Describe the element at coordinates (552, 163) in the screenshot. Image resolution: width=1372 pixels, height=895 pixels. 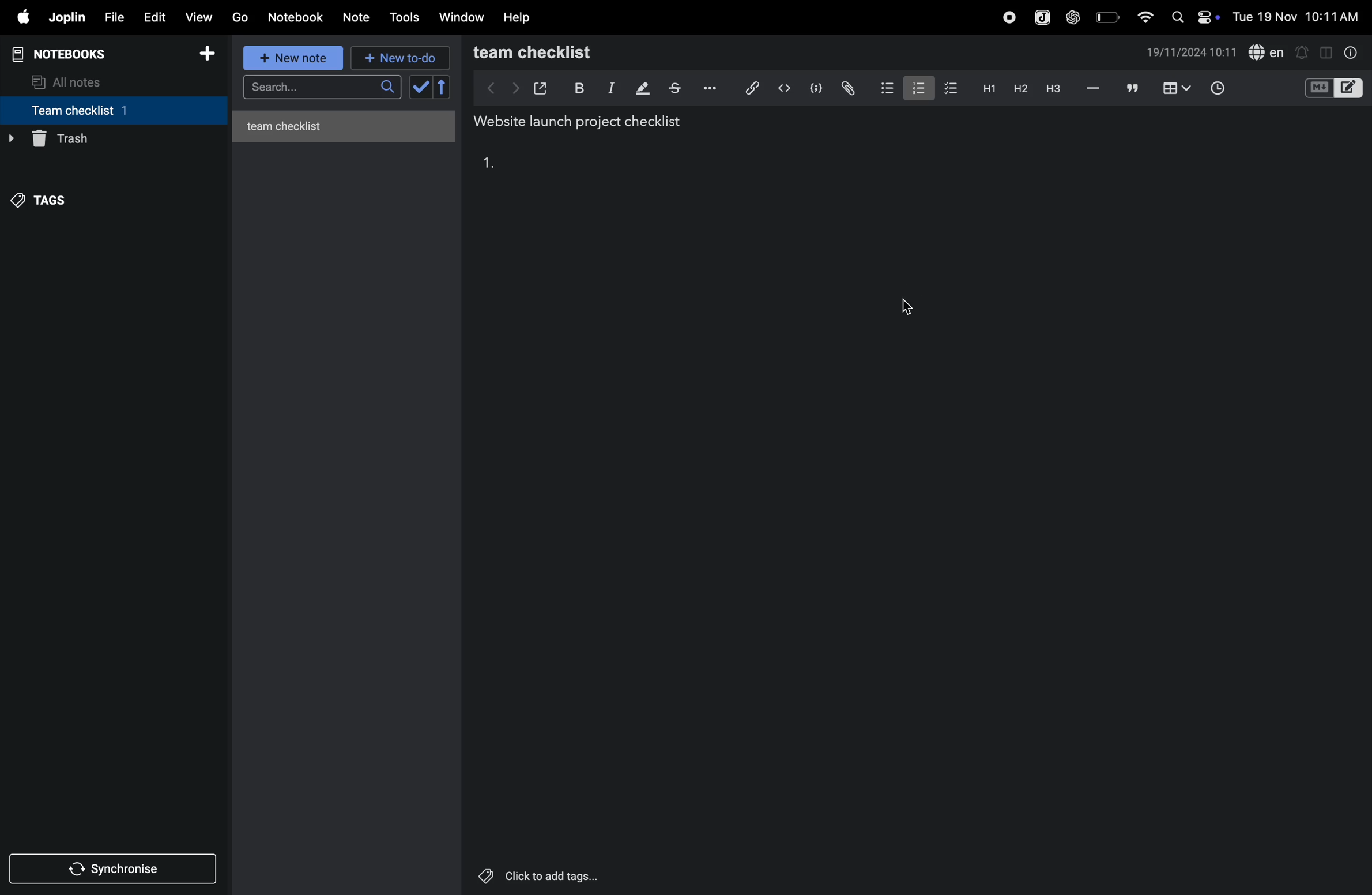
I see `task 1` at that location.